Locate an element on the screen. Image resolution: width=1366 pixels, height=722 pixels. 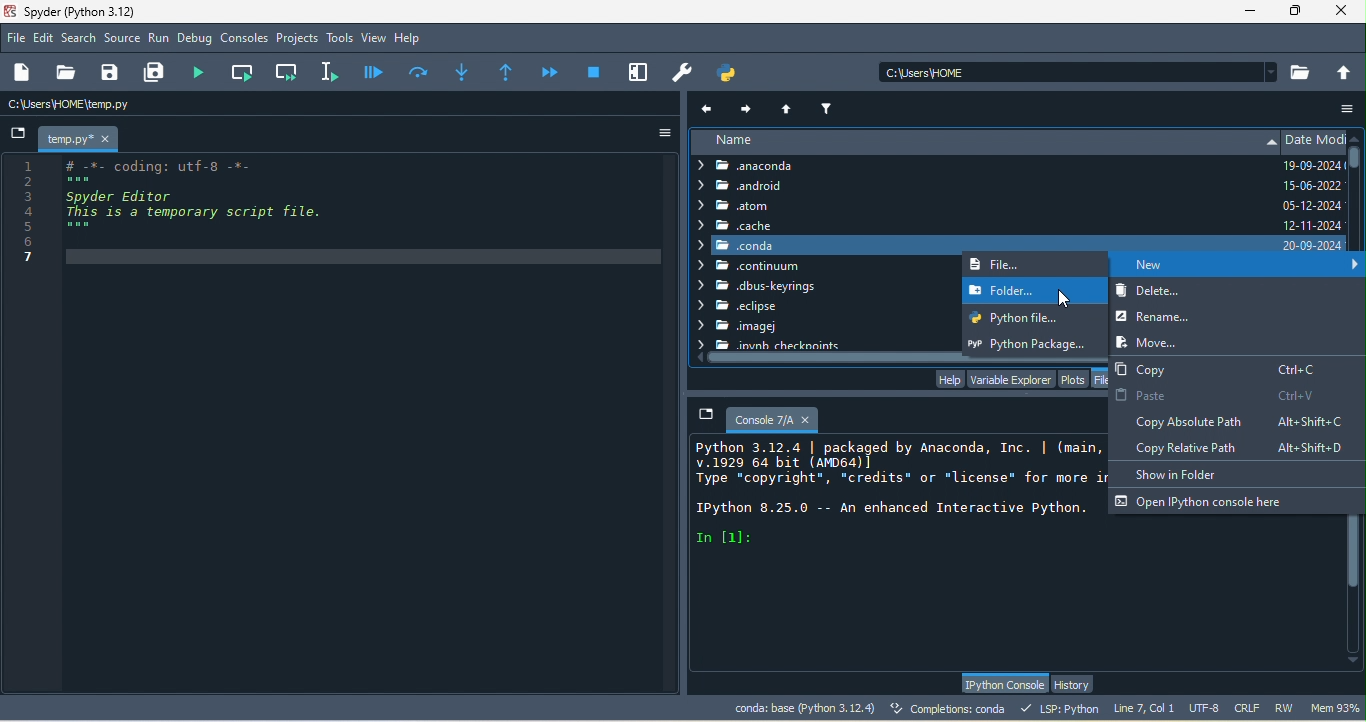
move is located at coordinates (1147, 341).